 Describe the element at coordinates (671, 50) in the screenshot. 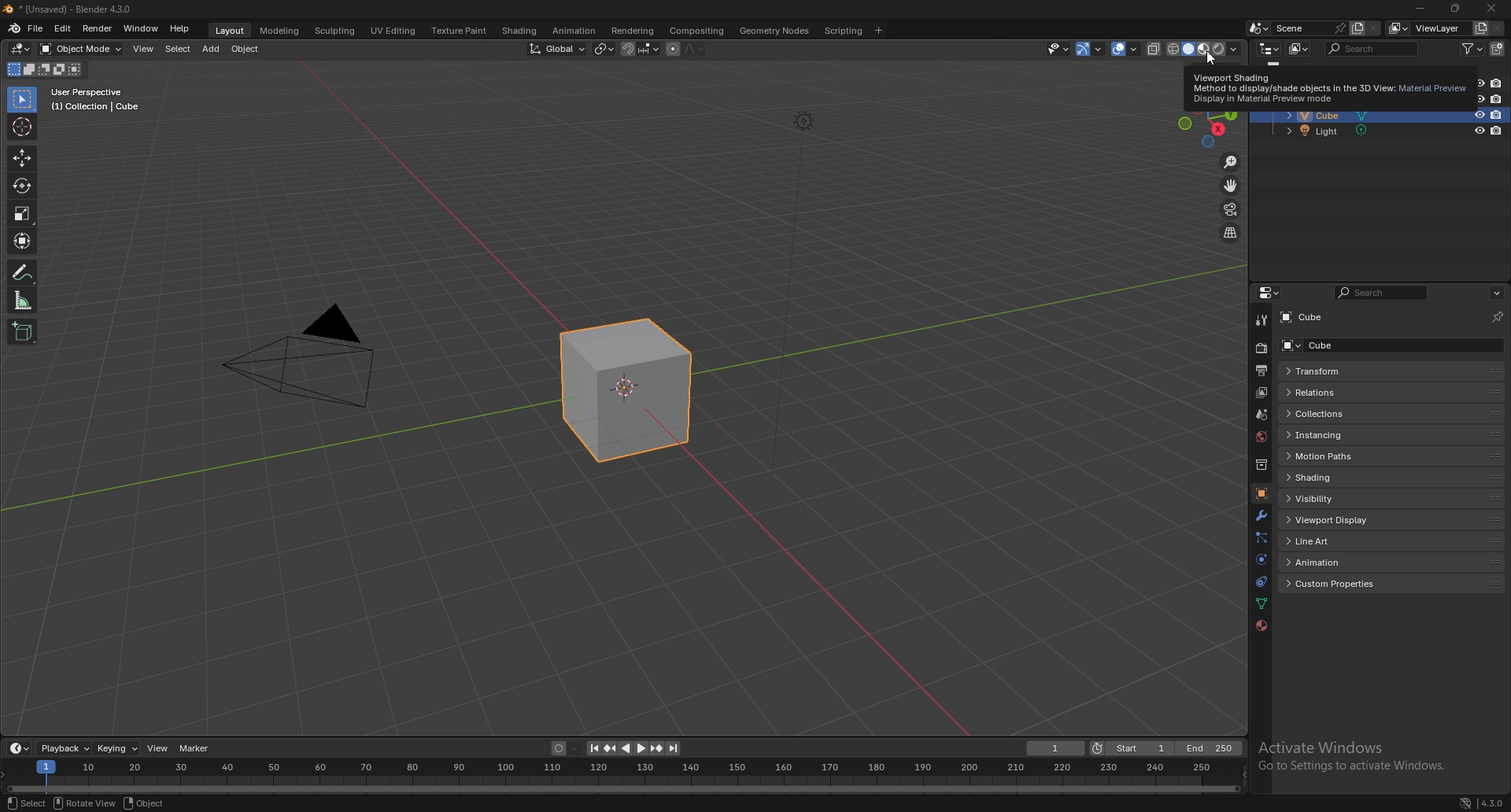

I see `proportional editing objects` at that location.